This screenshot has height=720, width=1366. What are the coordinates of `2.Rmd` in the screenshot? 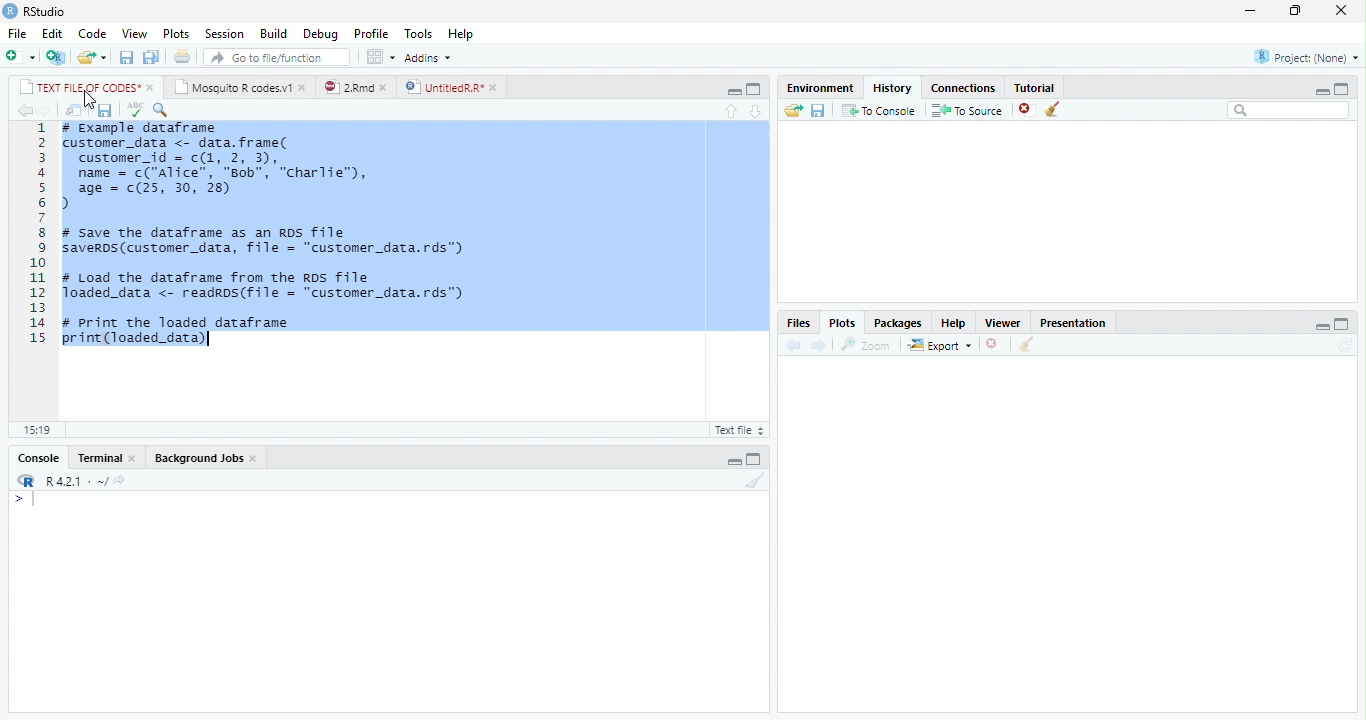 It's located at (347, 87).